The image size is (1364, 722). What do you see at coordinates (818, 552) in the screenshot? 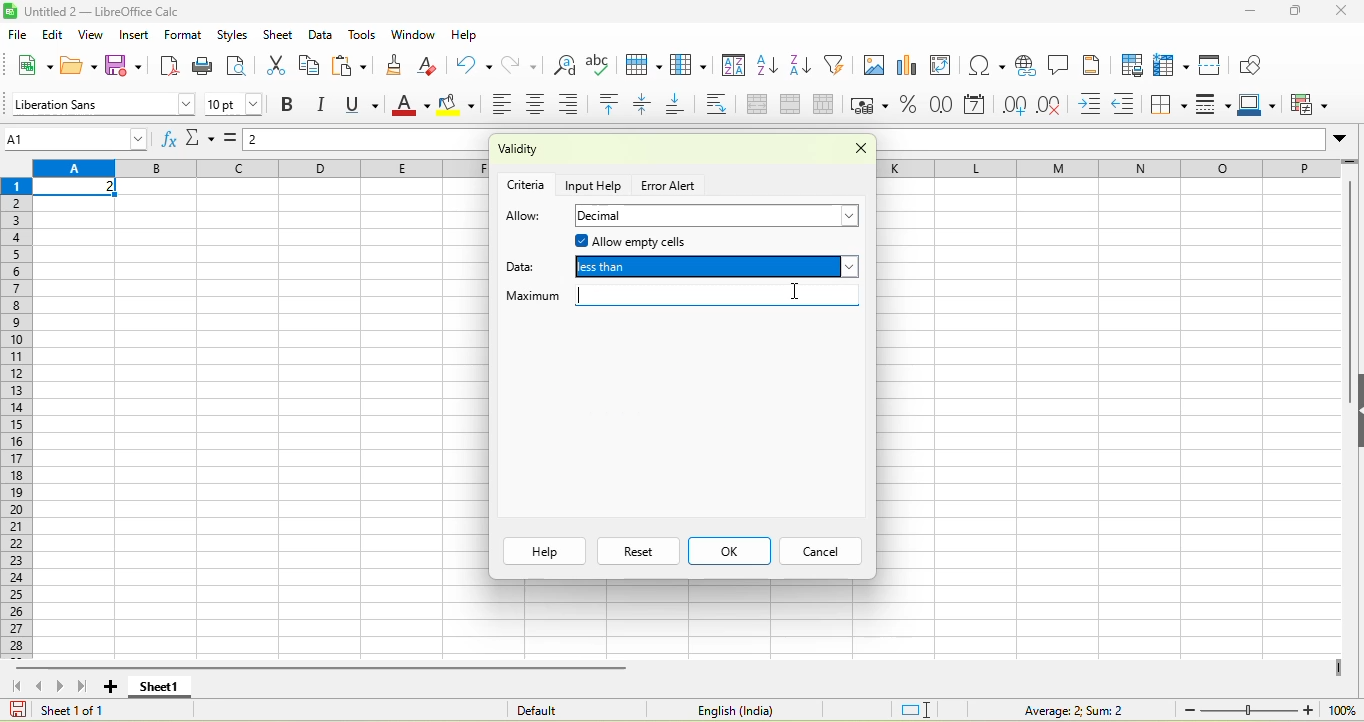
I see `cancel` at bounding box center [818, 552].